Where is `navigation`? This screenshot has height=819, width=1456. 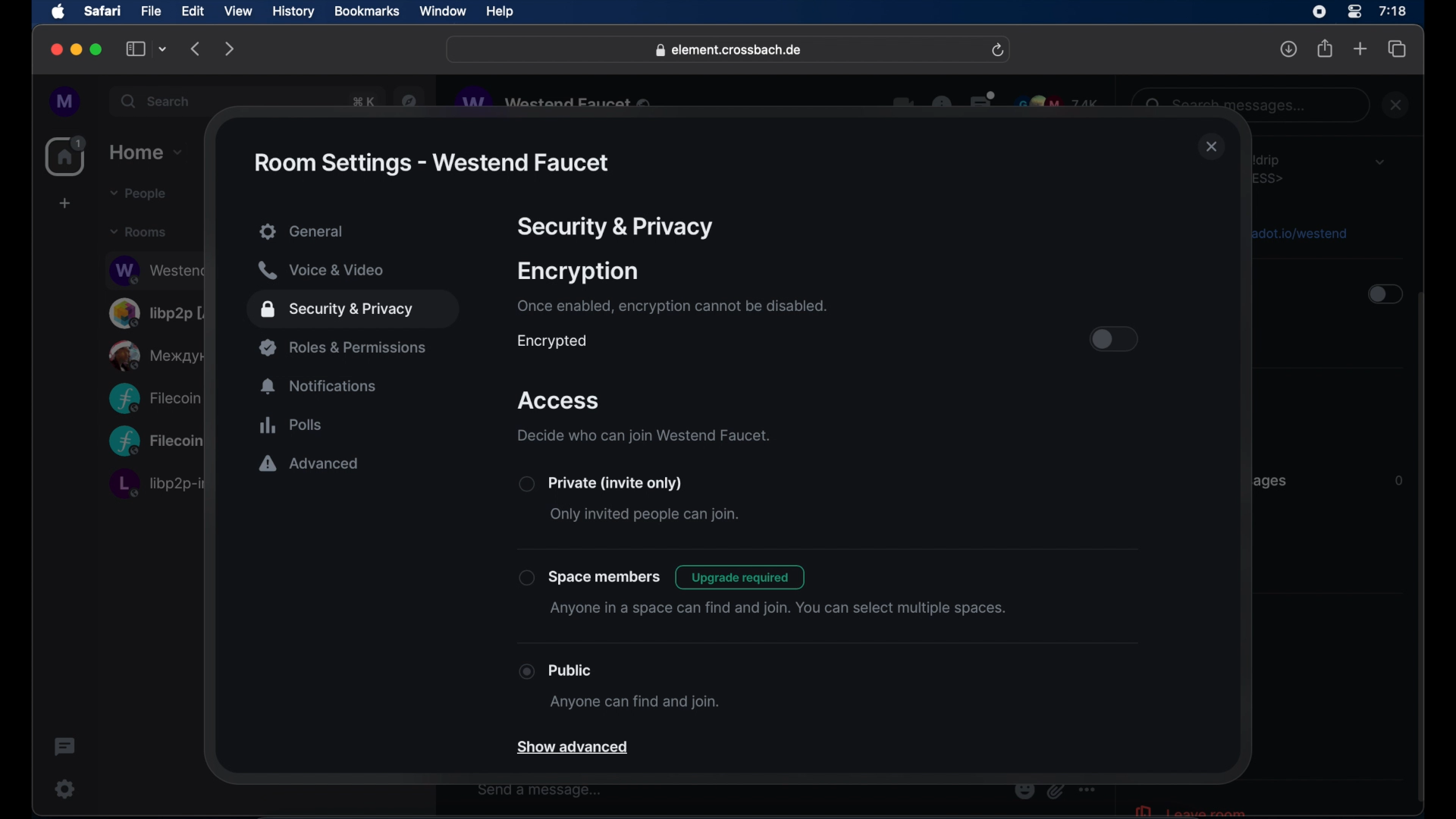 navigation is located at coordinates (409, 99).